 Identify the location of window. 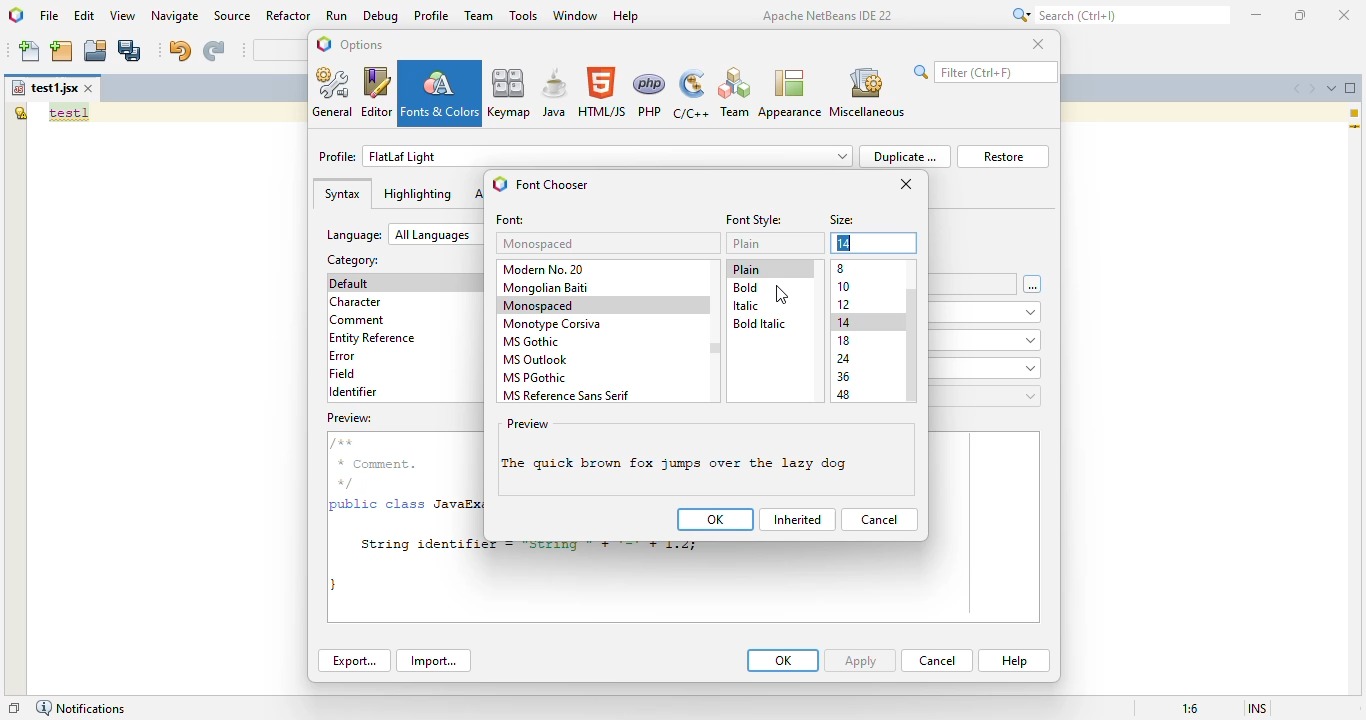
(575, 15).